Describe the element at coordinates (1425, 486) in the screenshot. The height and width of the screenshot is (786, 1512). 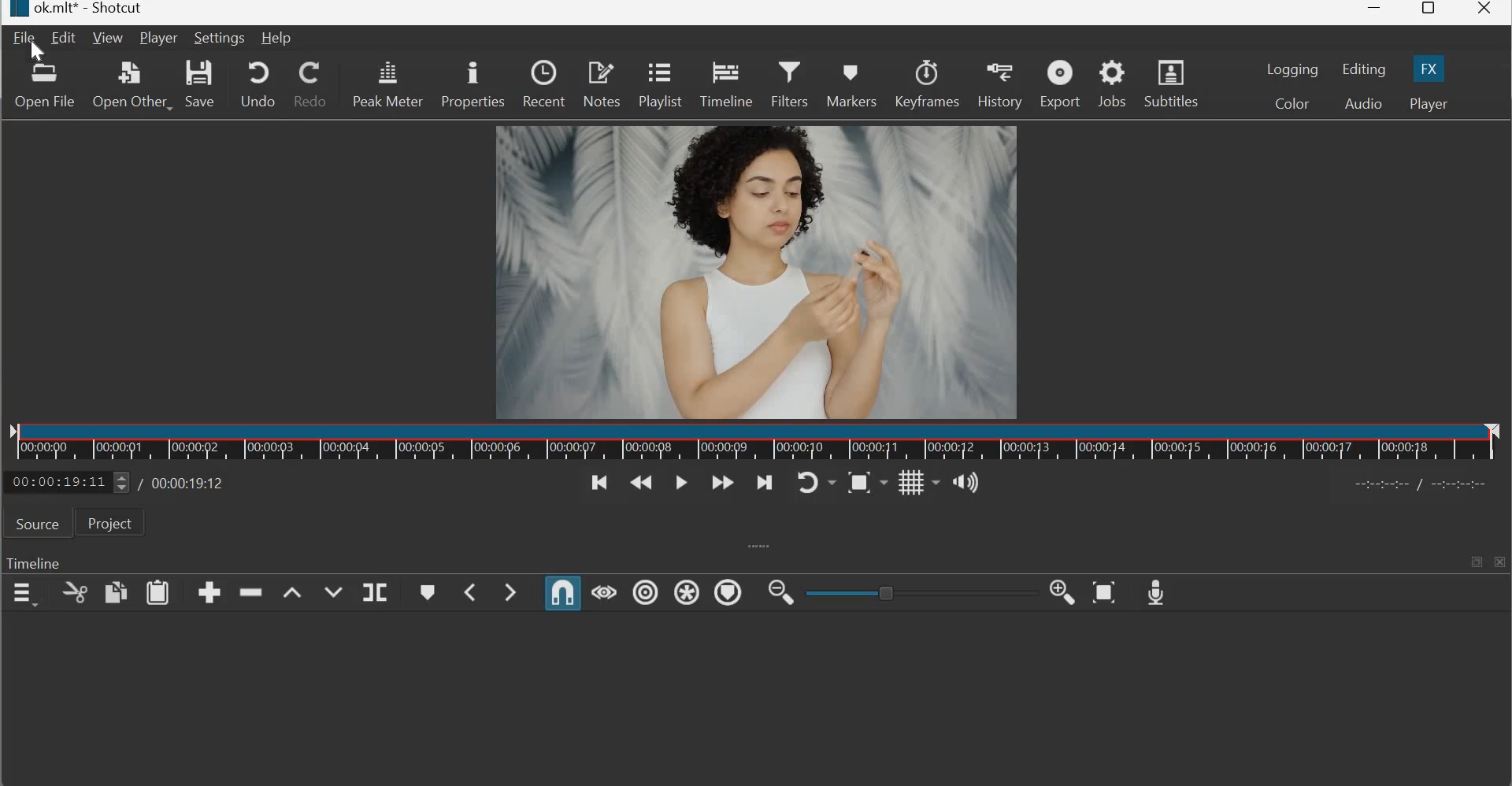
I see `in point` at that location.